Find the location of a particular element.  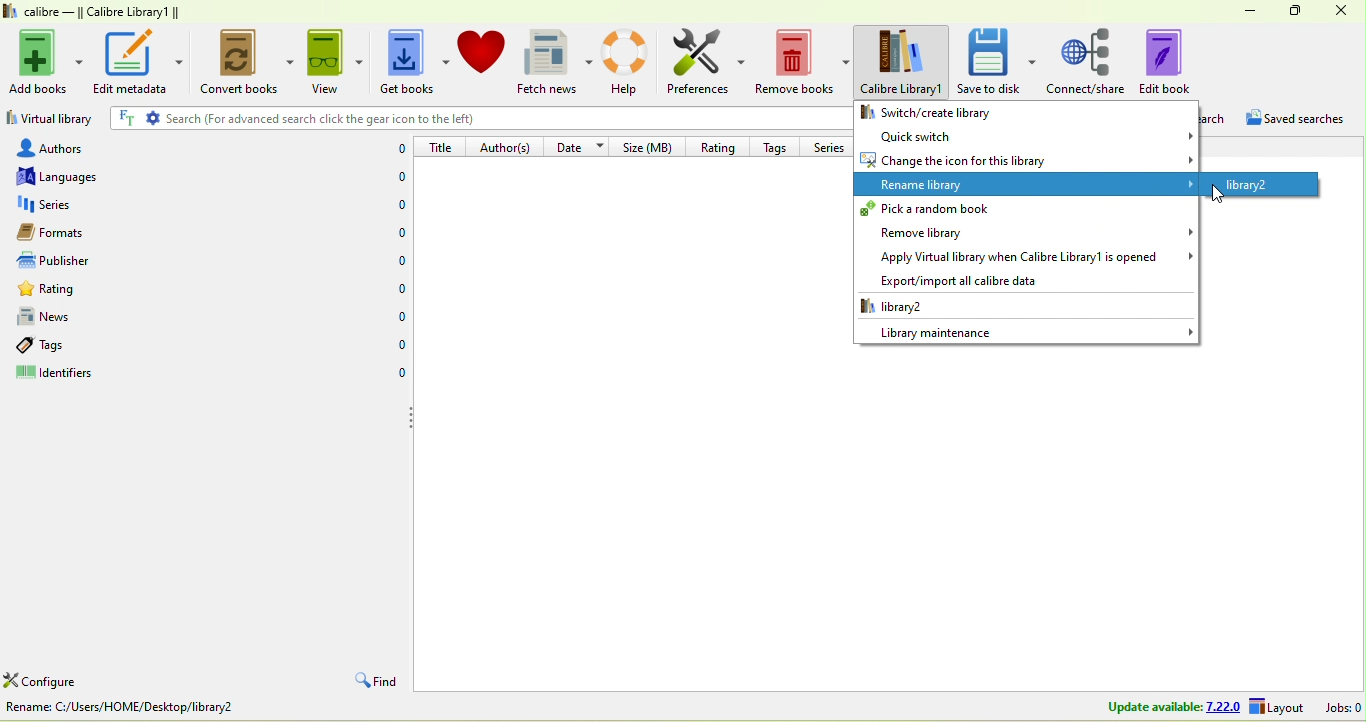

languages is located at coordinates (68, 176).